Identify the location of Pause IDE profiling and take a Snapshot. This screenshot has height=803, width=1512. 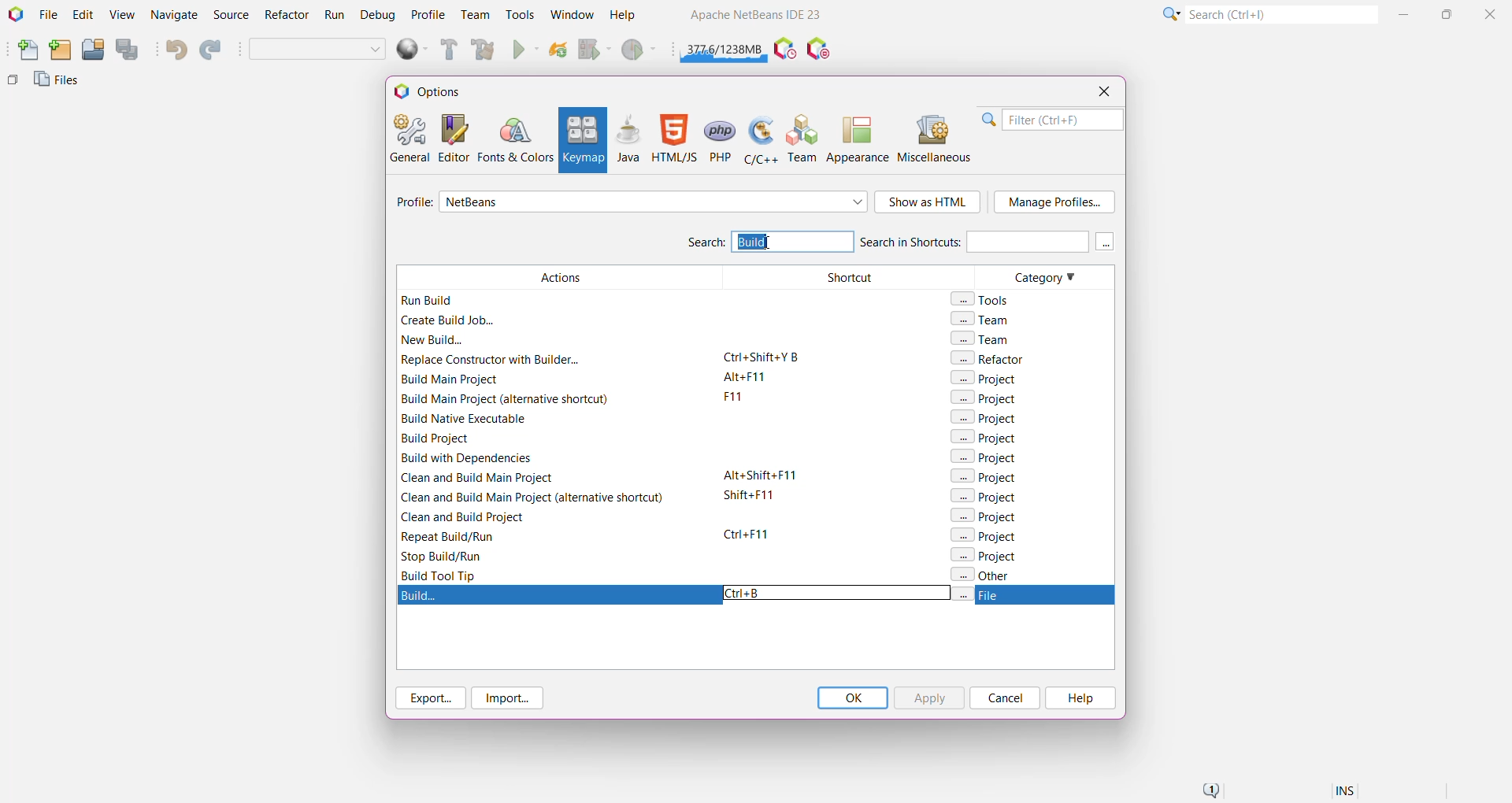
(785, 50).